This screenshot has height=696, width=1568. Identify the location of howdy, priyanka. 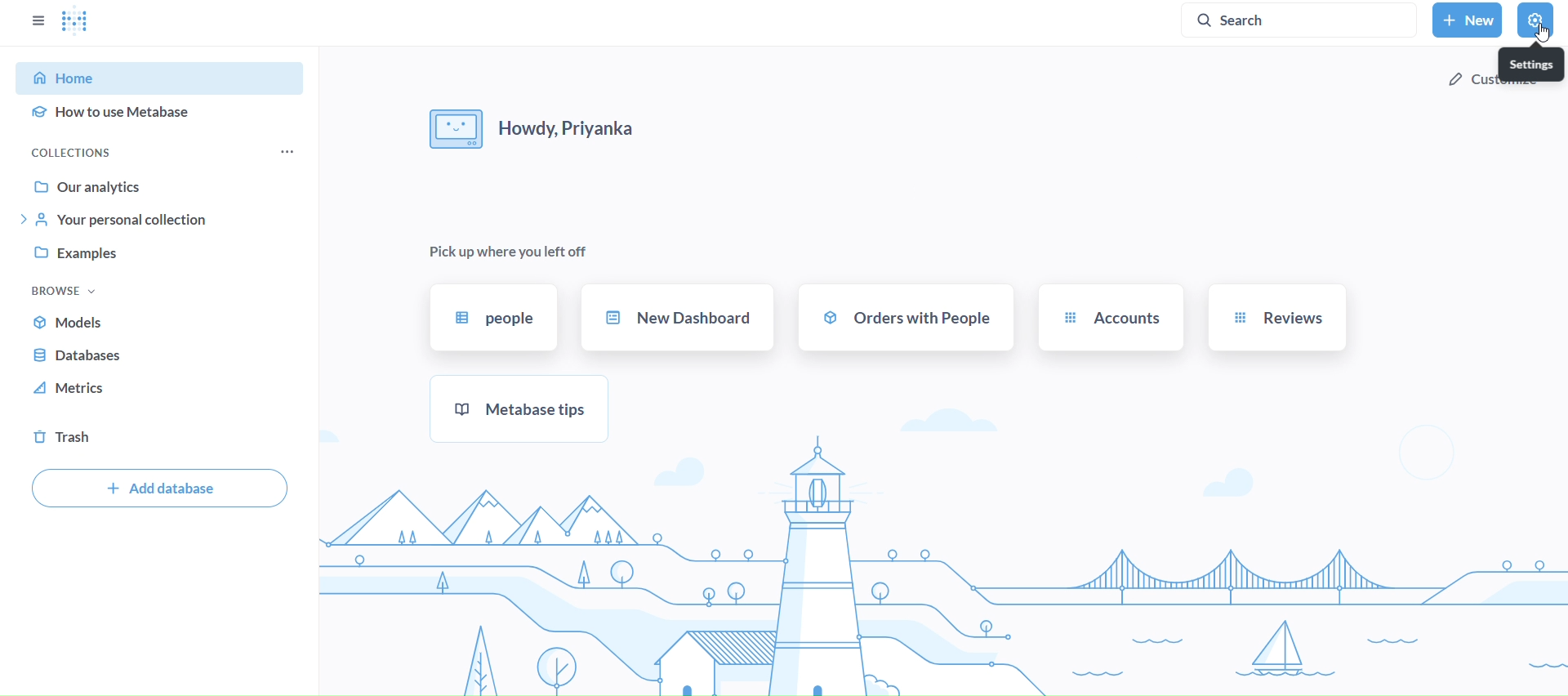
(551, 125).